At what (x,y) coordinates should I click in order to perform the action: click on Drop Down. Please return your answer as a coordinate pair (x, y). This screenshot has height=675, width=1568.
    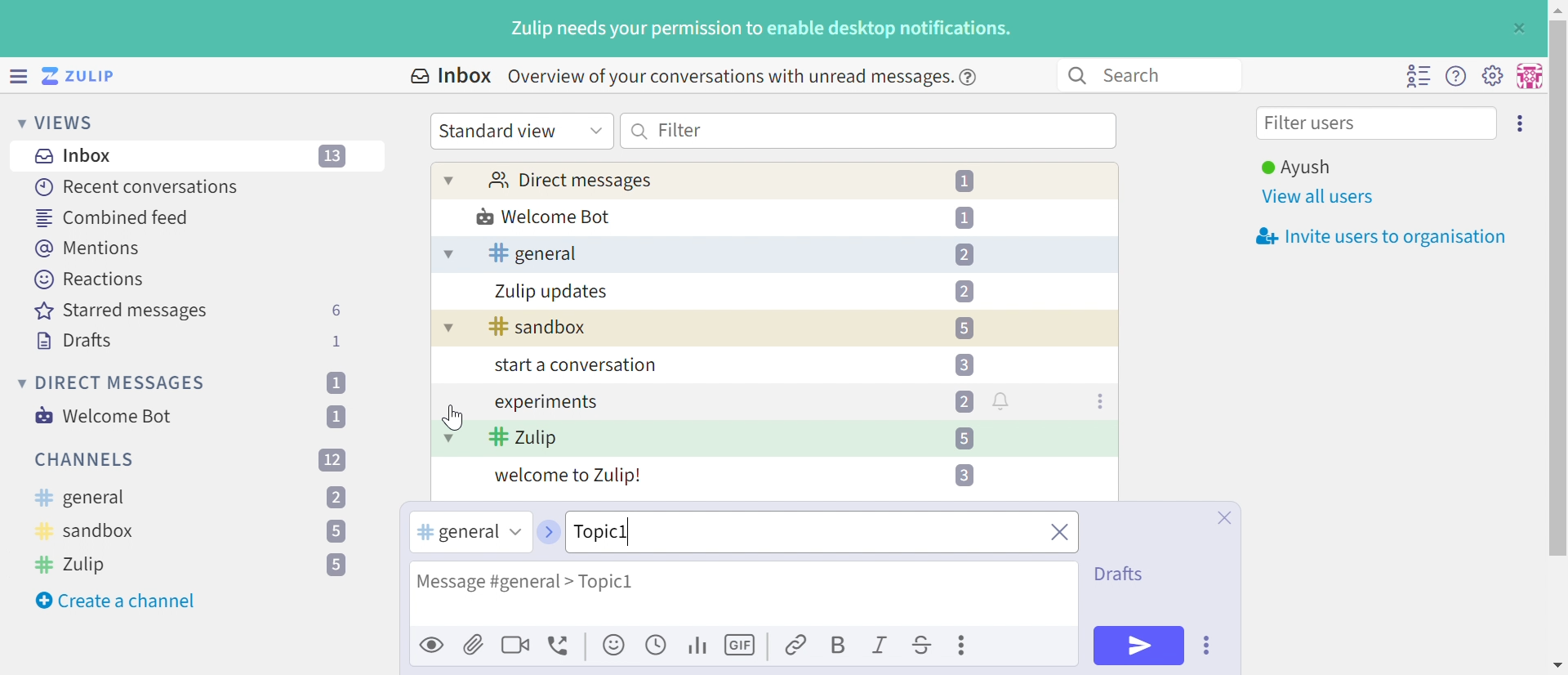
    Looking at the image, I should click on (445, 330).